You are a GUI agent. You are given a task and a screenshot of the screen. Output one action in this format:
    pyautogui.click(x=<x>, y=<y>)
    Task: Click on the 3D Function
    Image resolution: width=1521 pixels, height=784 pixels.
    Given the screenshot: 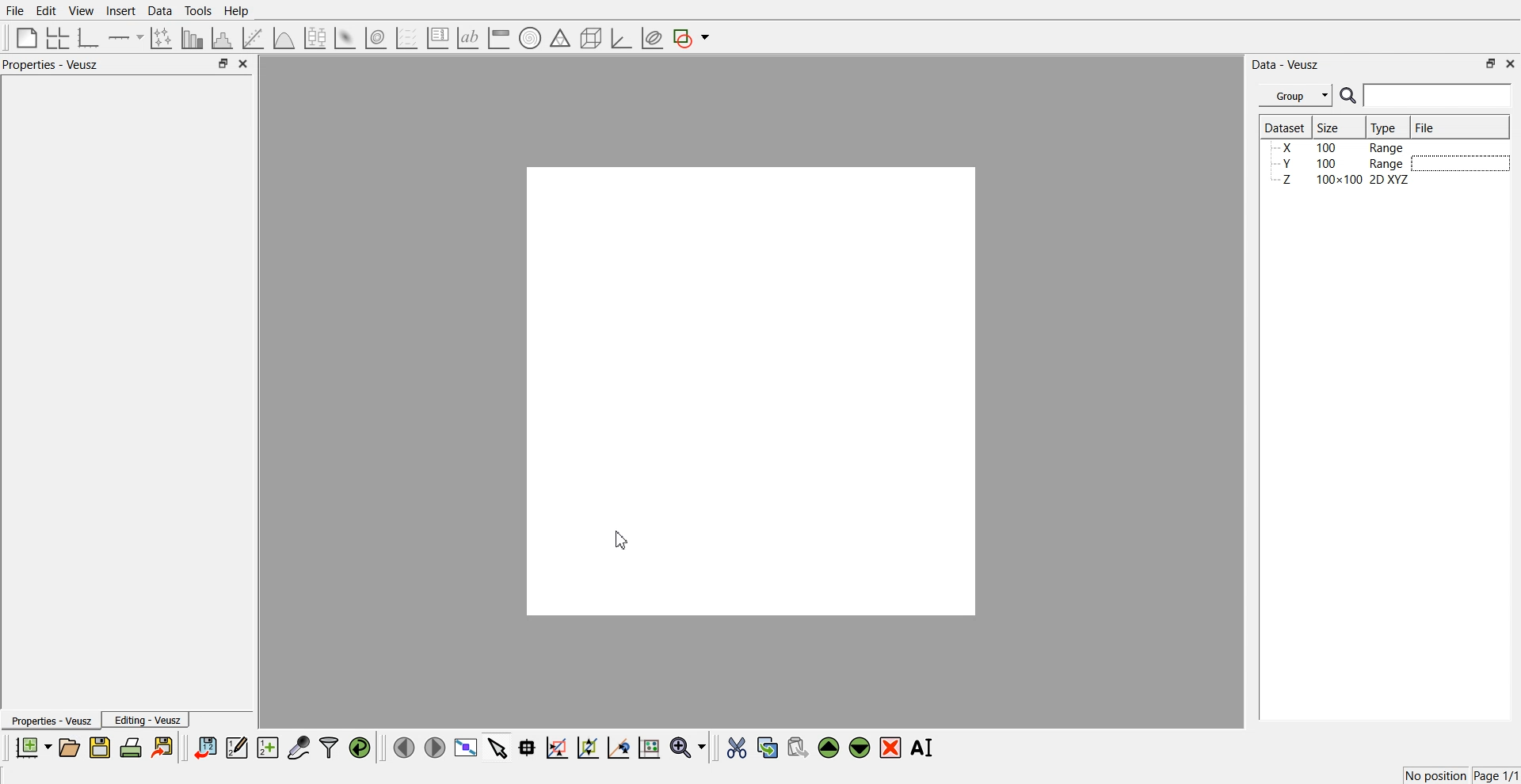 What is the action you would take?
    pyautogui.click(x=284, y=38)
    